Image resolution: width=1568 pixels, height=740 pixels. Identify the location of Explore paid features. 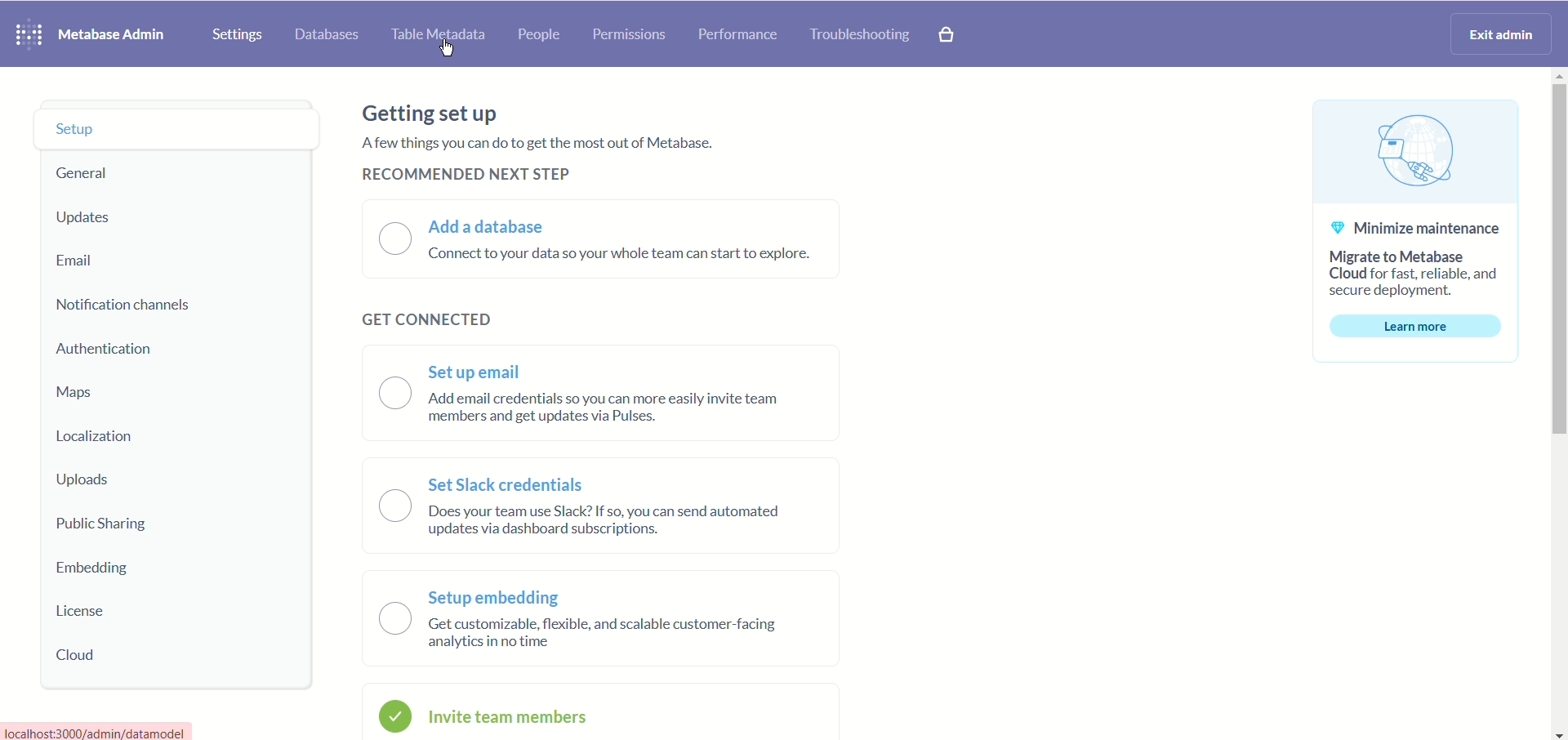
(957, 35).